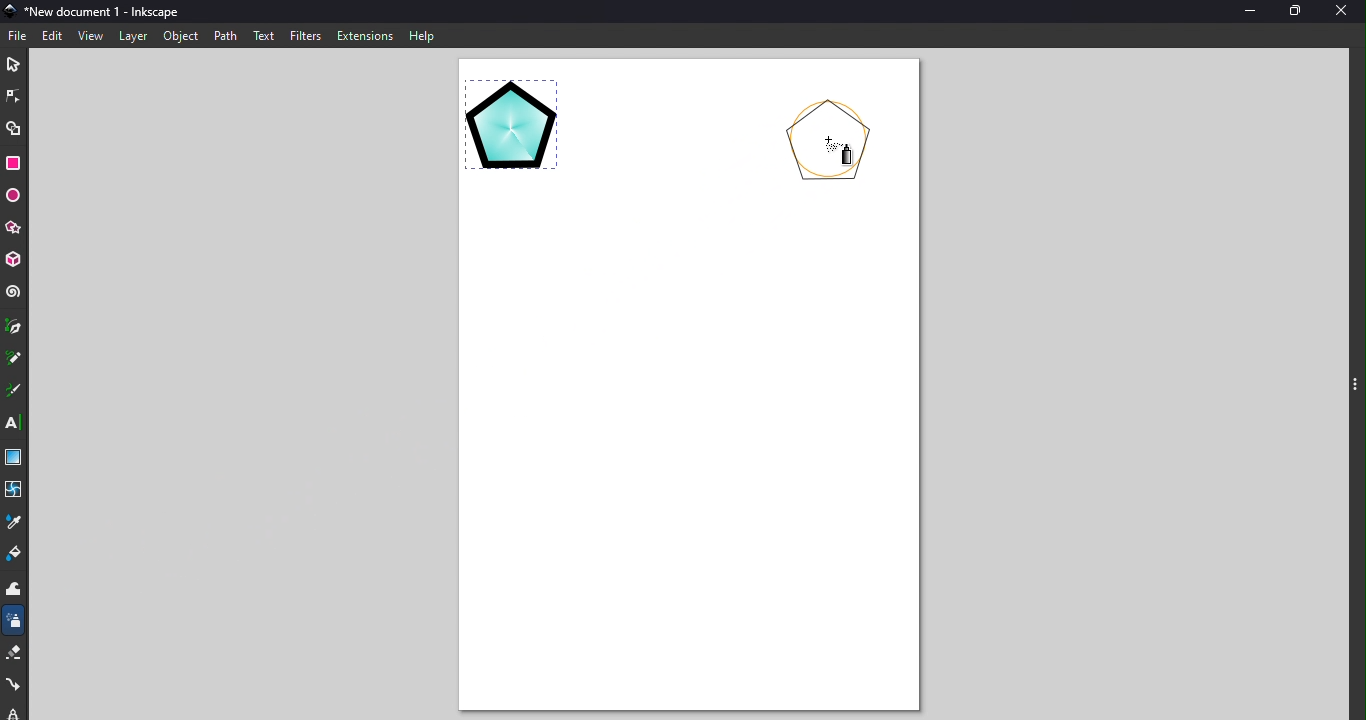  Describe the element at coordinates (88, 36) in the screenshot. I see `View` at that location.